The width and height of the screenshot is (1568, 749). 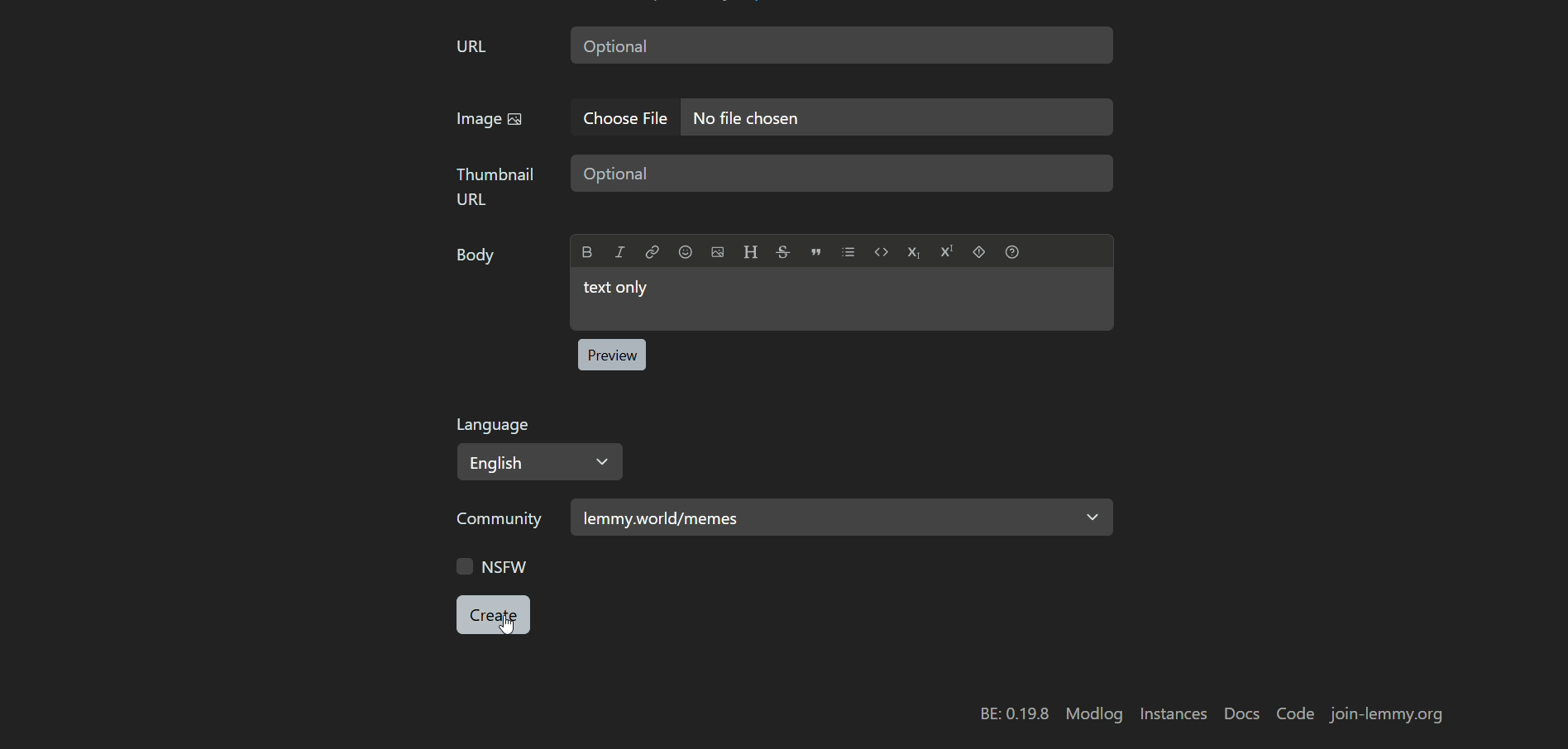 I want to click on text box, so click(x=842, y=45).